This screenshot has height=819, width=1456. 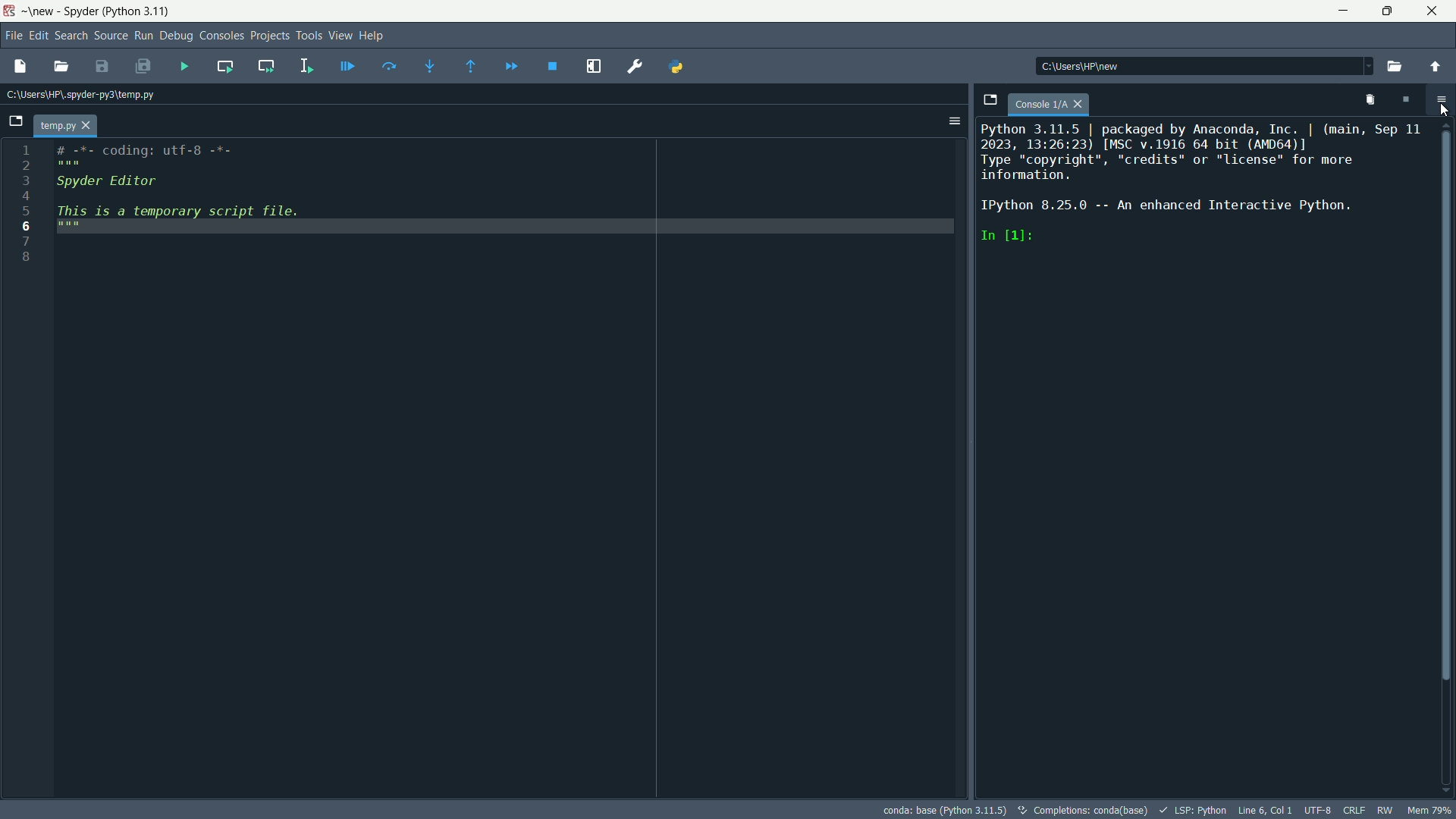 What do you see at coordinates (510, 66) in the screenshot?
I see `continue execution until next breakpoint` at bounding box center [510, 66].